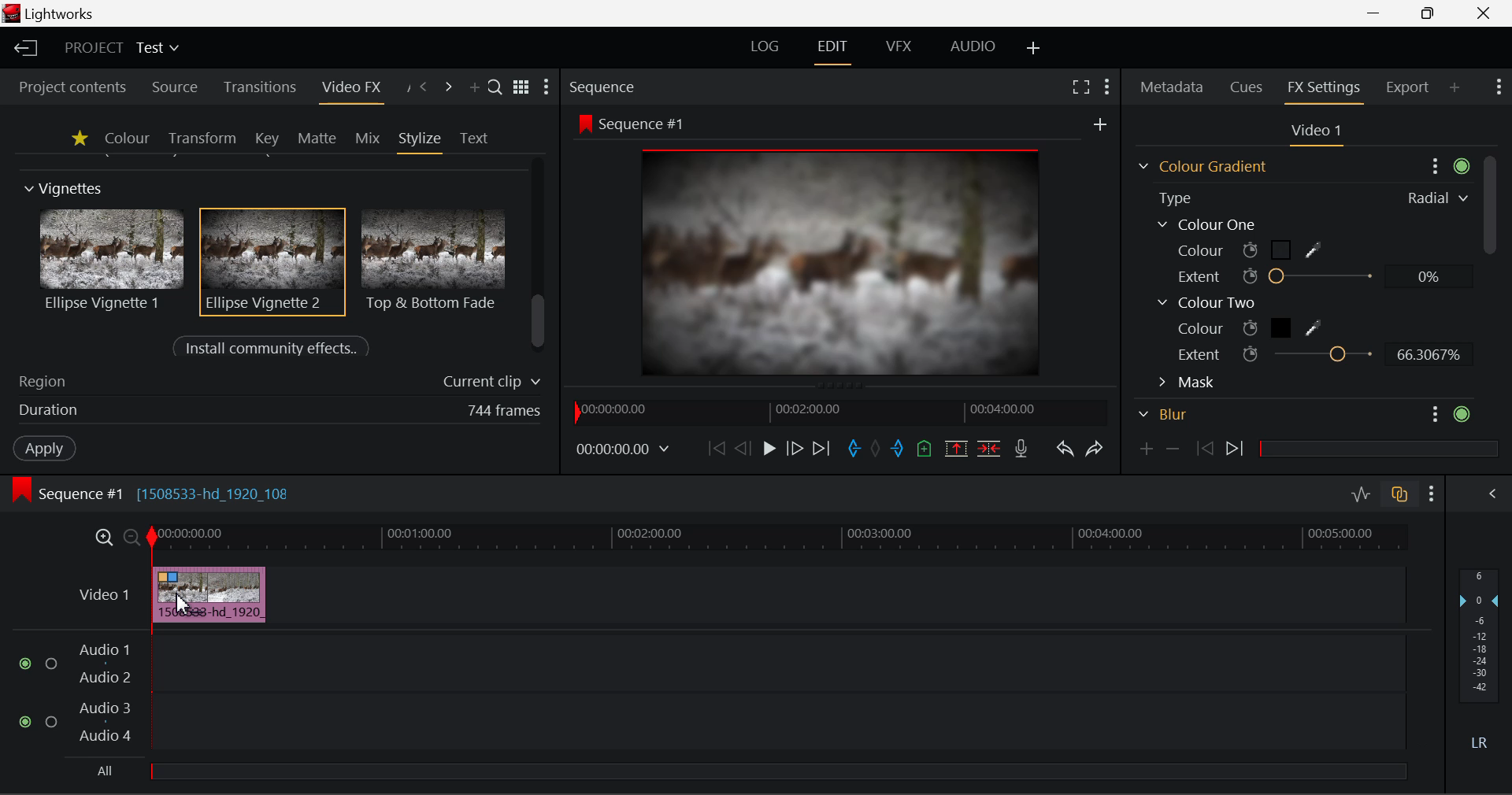 The width and height of the screenshot is (1512, 795). What do you see at coordinates (1398, 492) in the screenshot?
I see `Toggle auto track sync` at bounding box center [1398, 492].